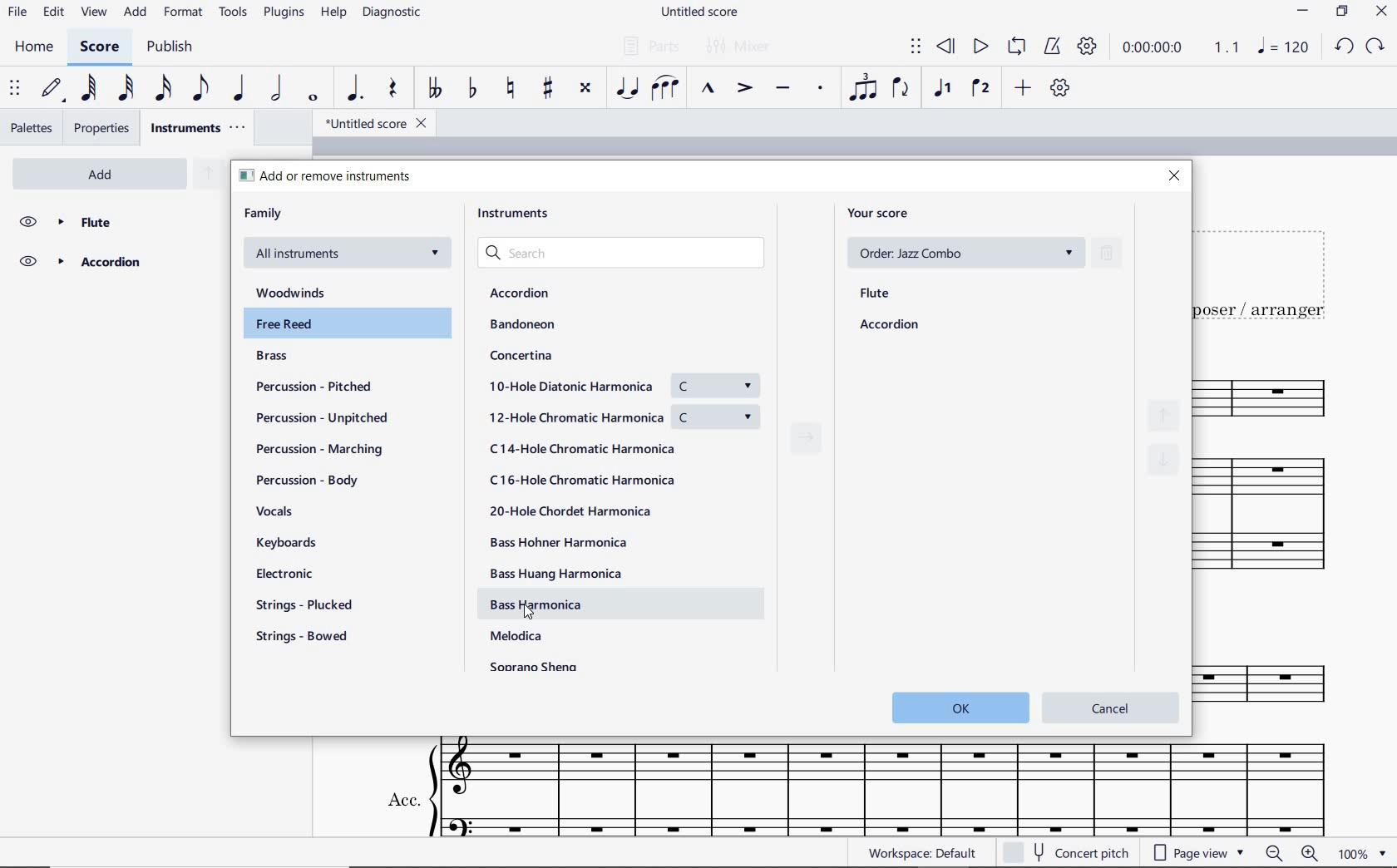 This screenshot has width=1397, height=868. Describe the element at coordinates (1021, 89) in the screenshot. I see `add` at that location.